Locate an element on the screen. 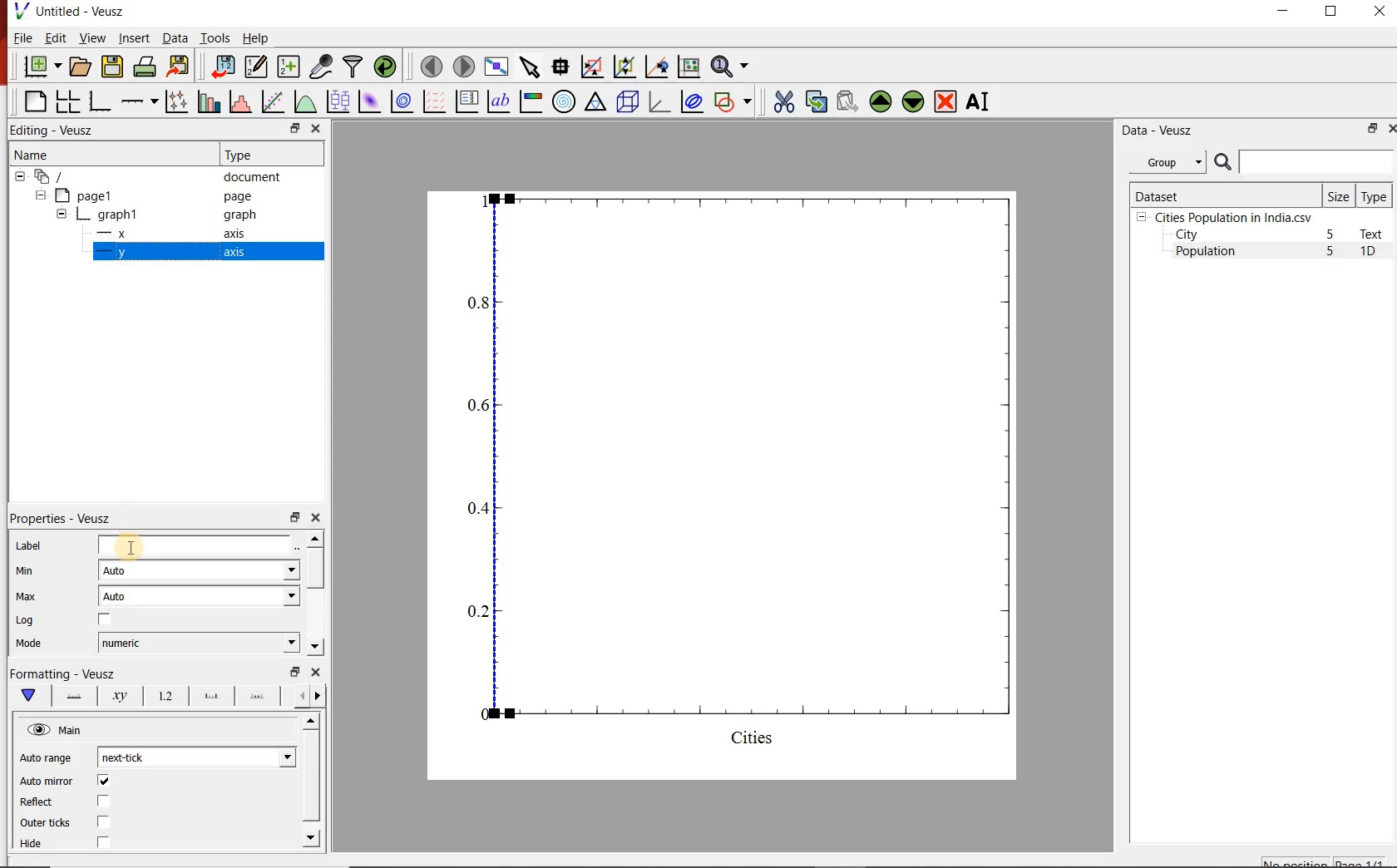 The height and width of the screenshot is (868, 1397). Reflect is located at coordinates (42, 801).